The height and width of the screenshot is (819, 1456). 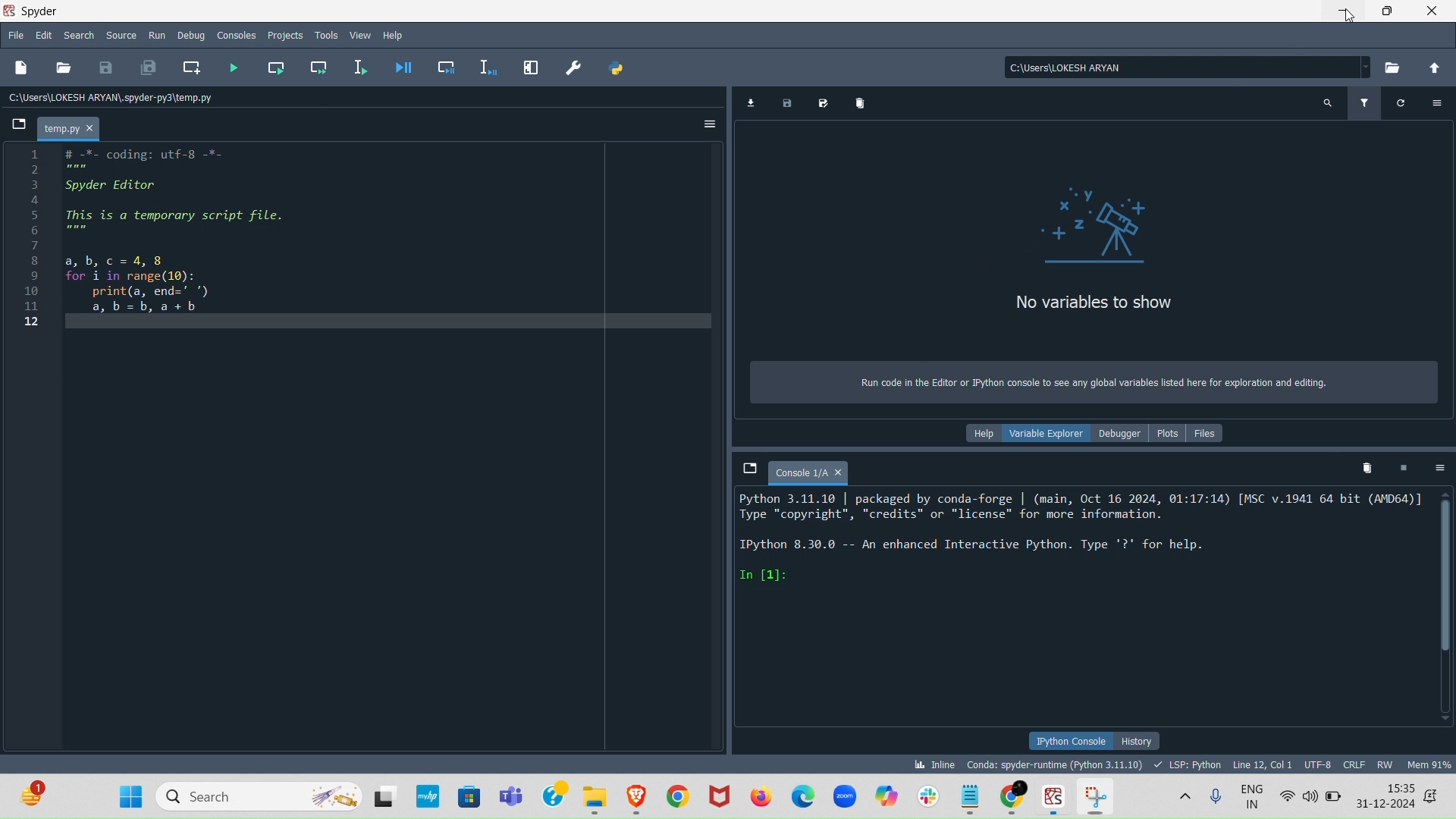 I want to click on View, so click(x=363, y=33).